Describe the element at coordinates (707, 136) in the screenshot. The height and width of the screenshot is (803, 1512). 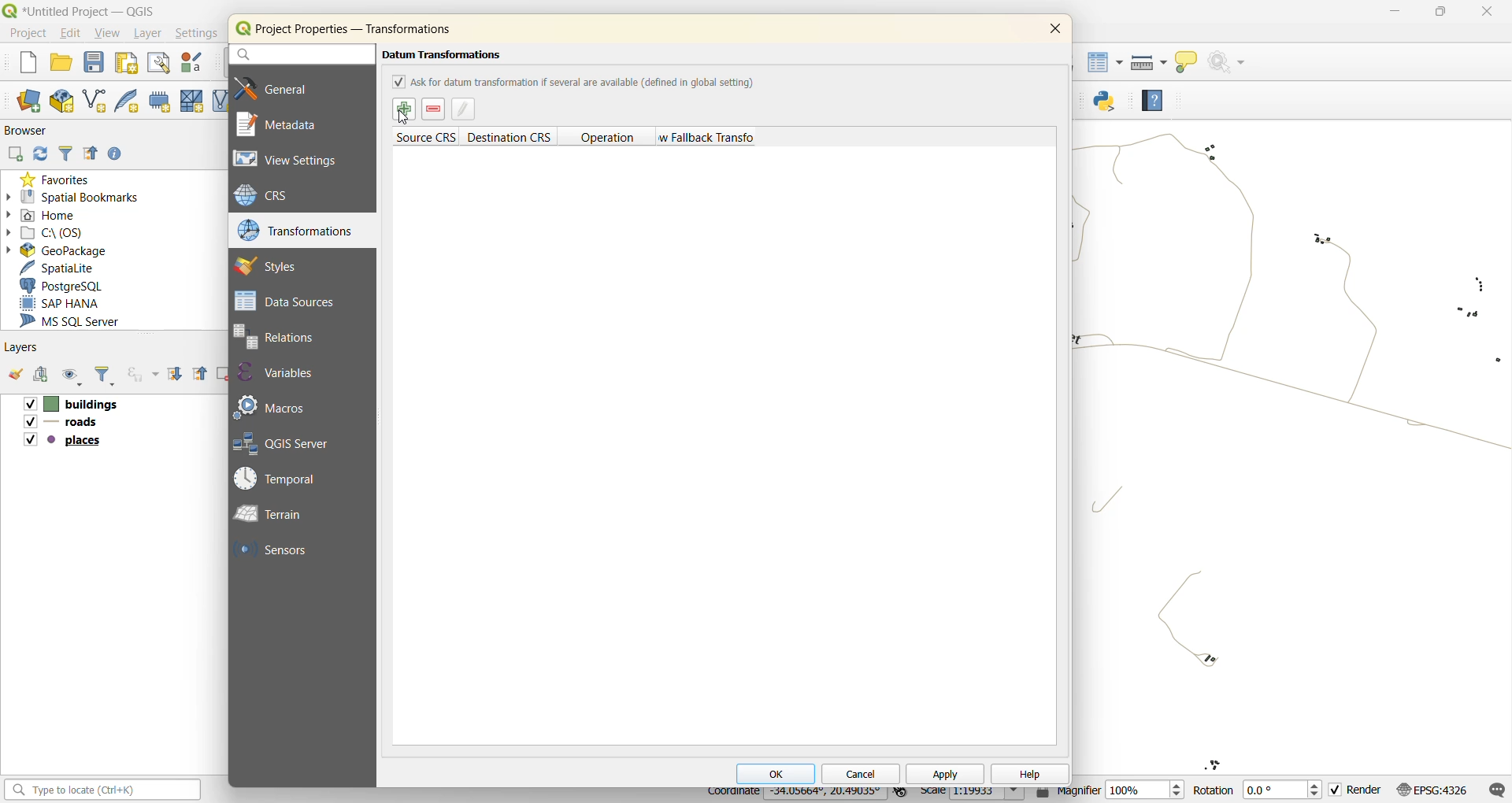
I see `allow fallback transforms` at that location.